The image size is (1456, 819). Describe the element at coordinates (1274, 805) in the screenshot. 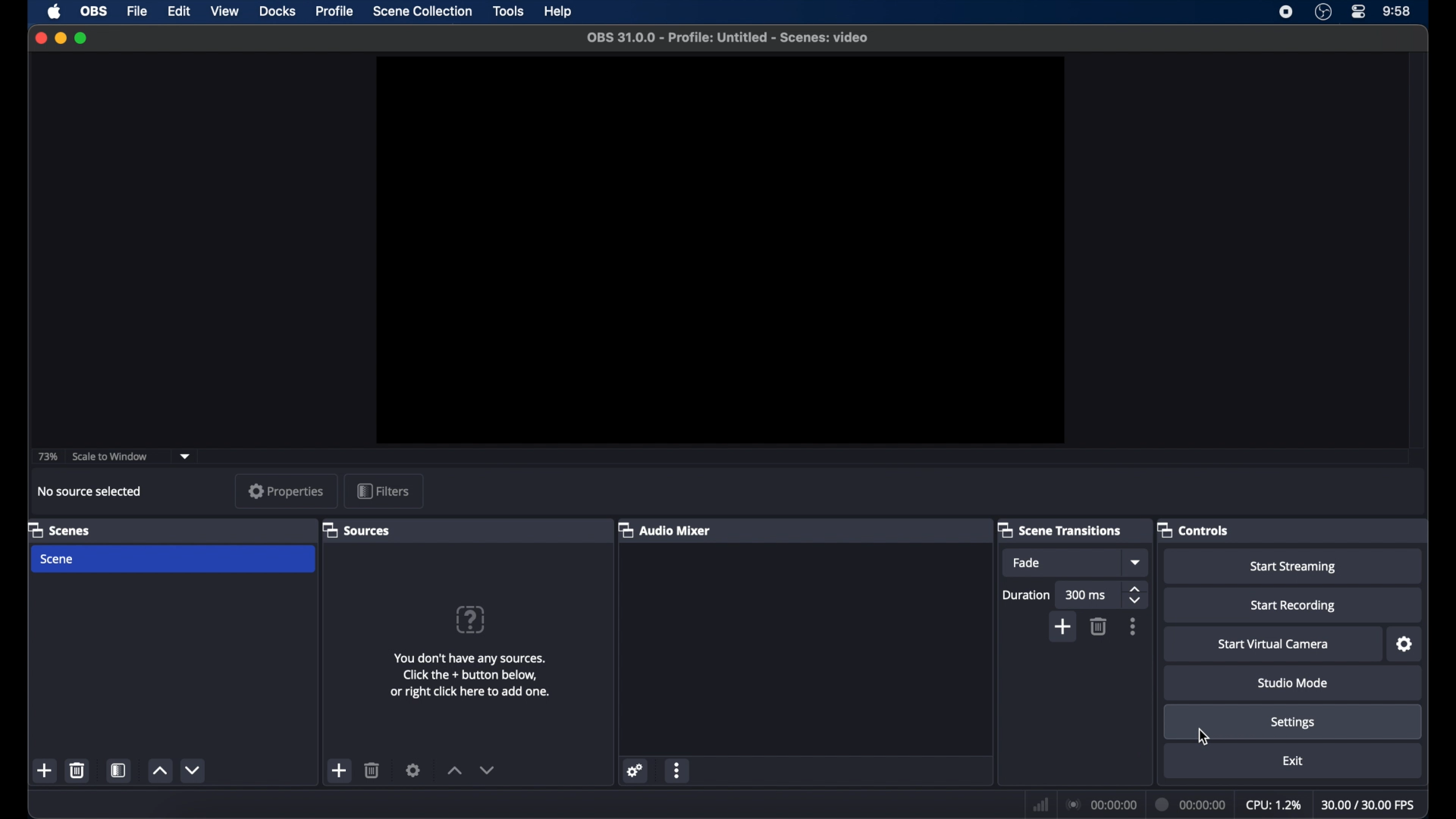

I see `cpu` at that location.